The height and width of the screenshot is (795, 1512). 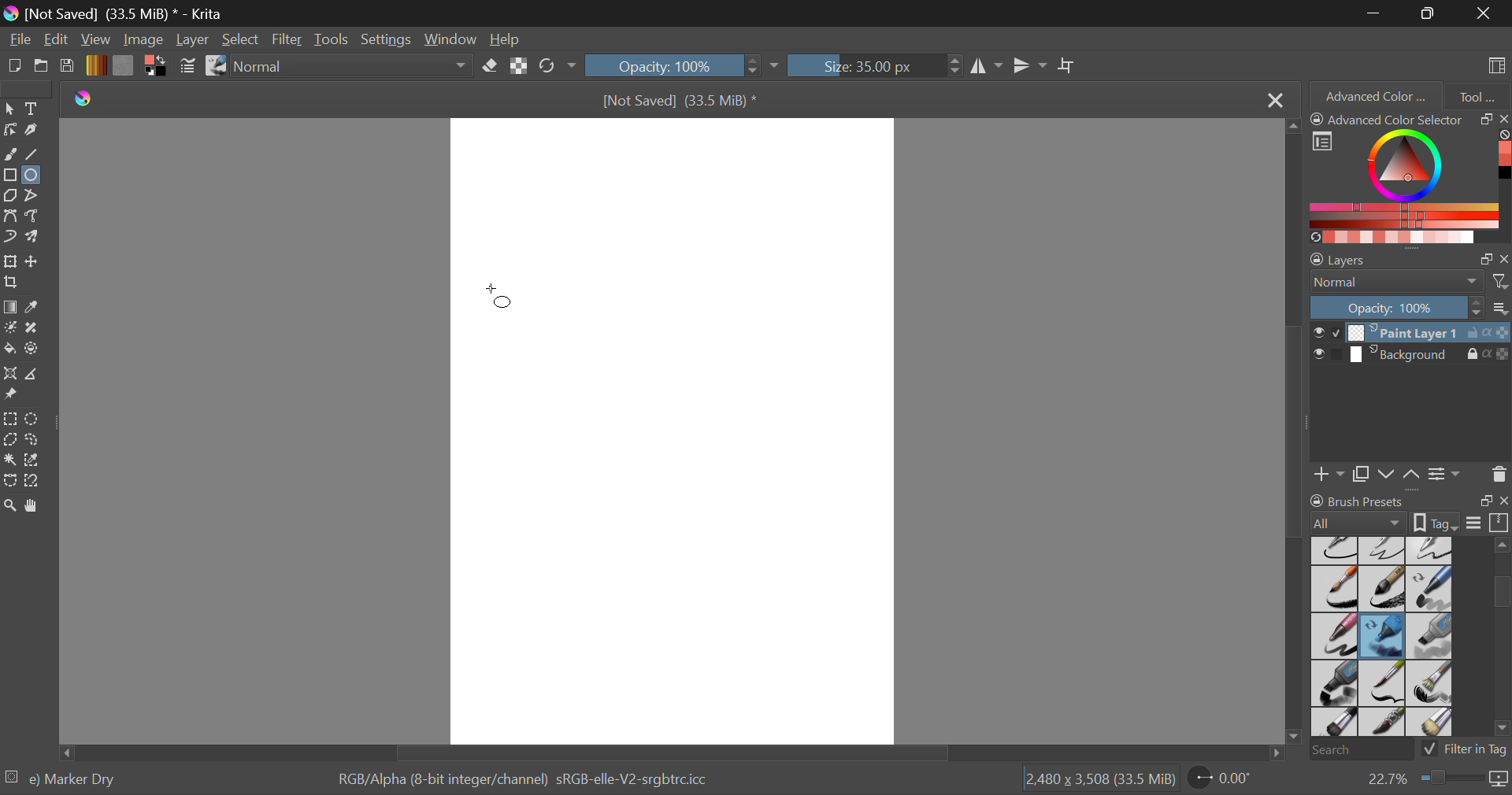 What do you see at coordinates (9, 309) in the screenshot?
I see `Gradient Fill` at bounding box center [9, 309].